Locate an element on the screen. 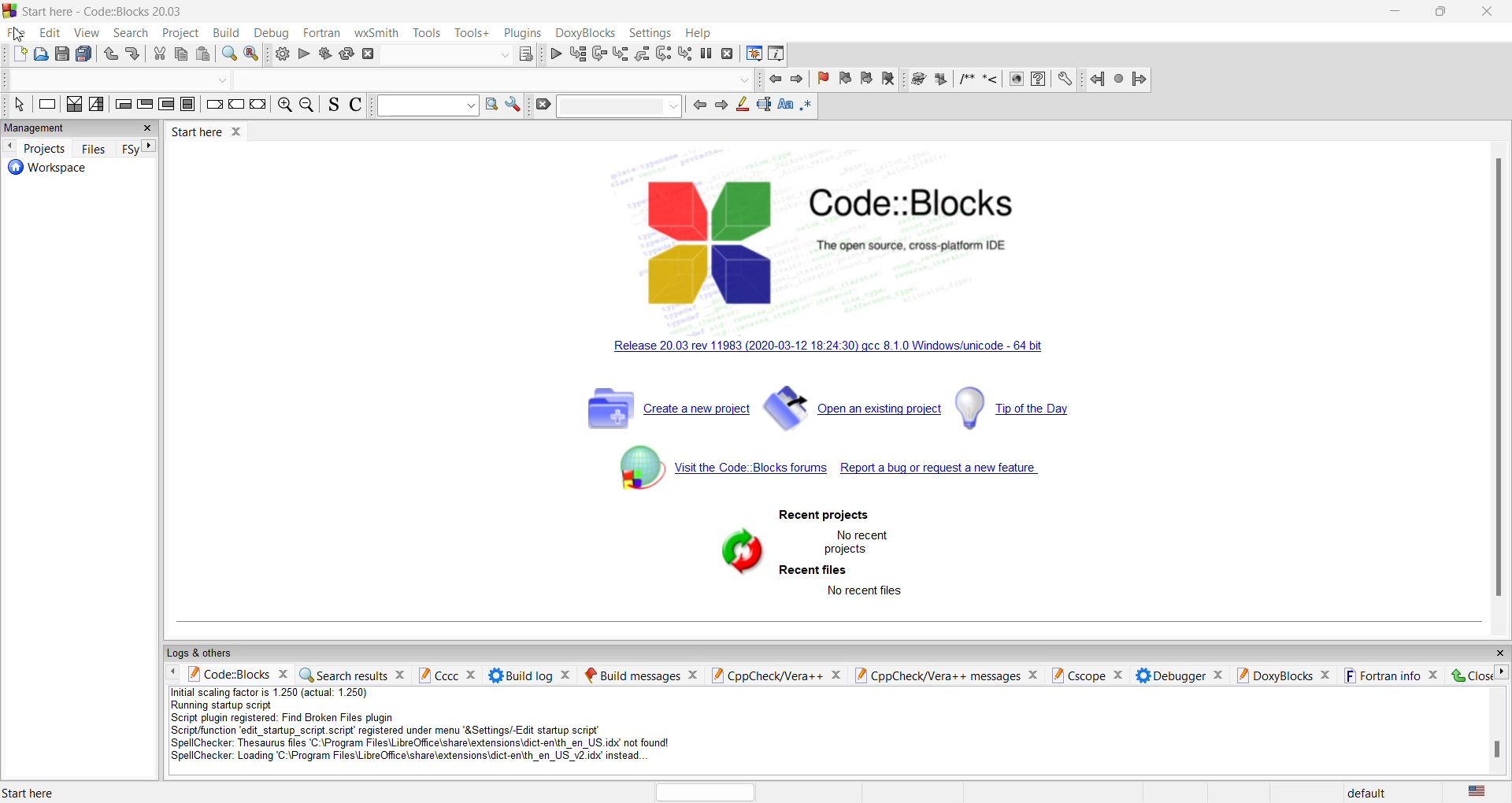 This screenshot has height=803, width=1512. block forums is located at coordinates (708, 476).